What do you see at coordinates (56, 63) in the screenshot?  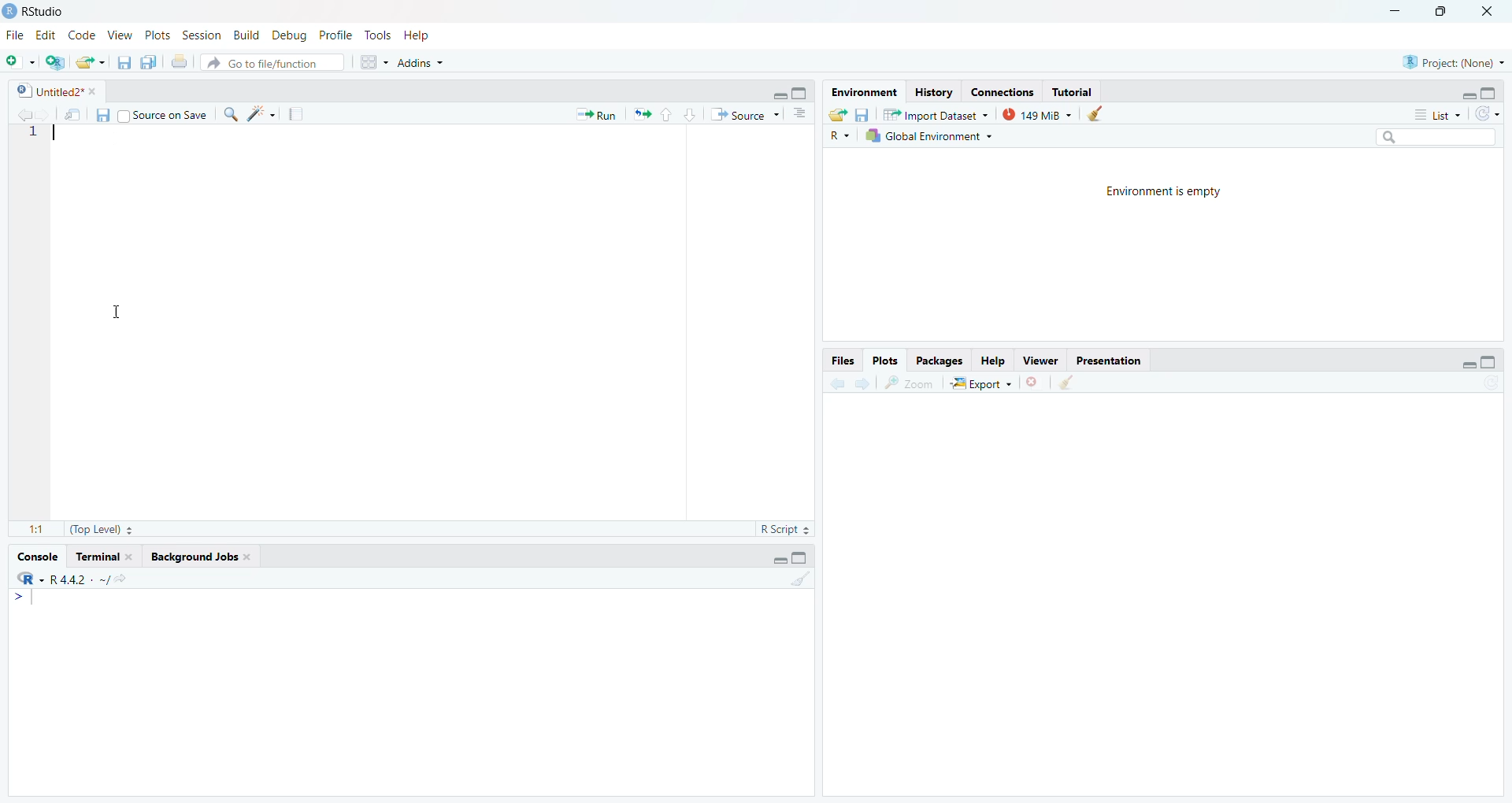 I see `Create a project` at bounding box center [56, 63].